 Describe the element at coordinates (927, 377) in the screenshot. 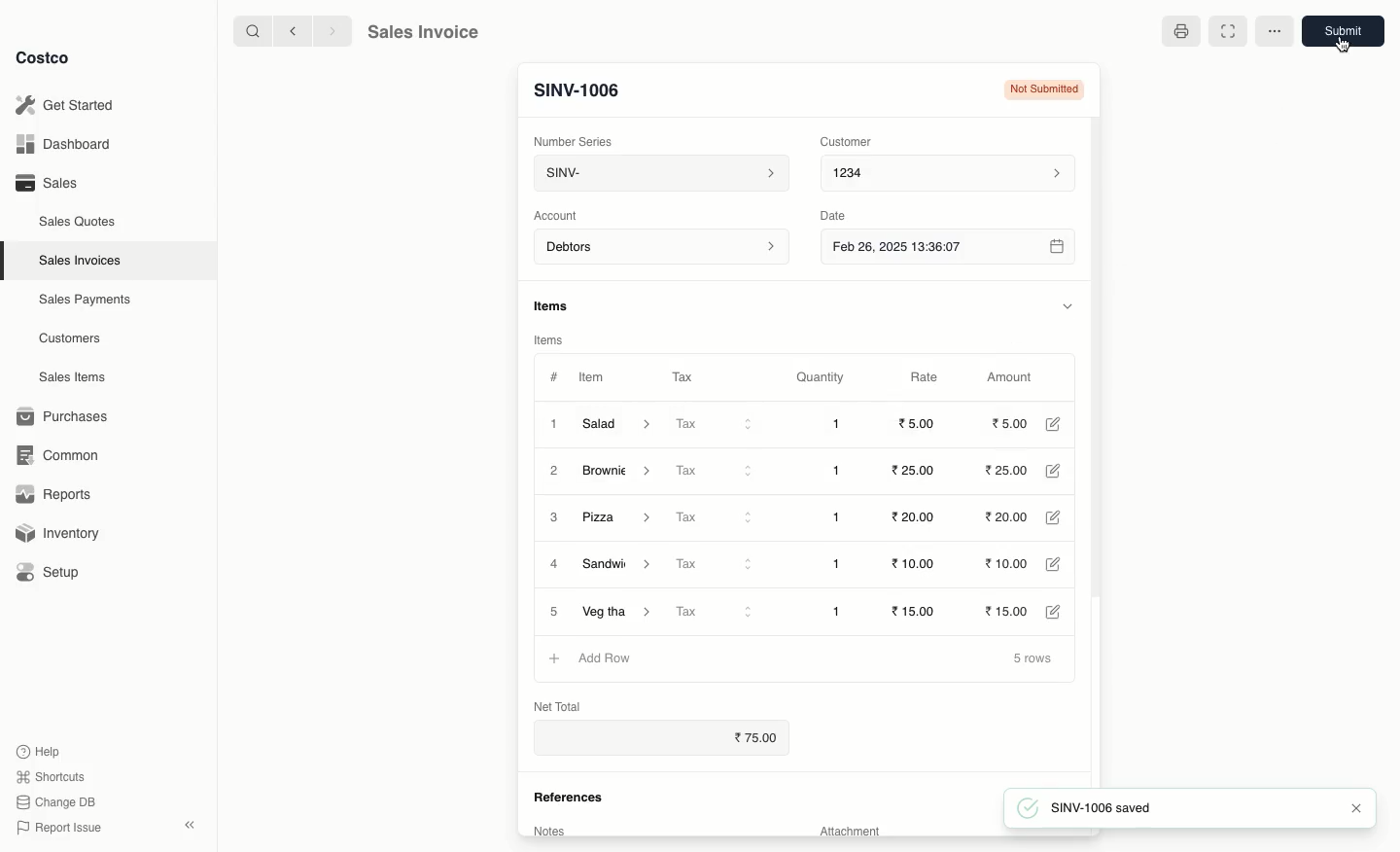

I see `Rate` at that location.